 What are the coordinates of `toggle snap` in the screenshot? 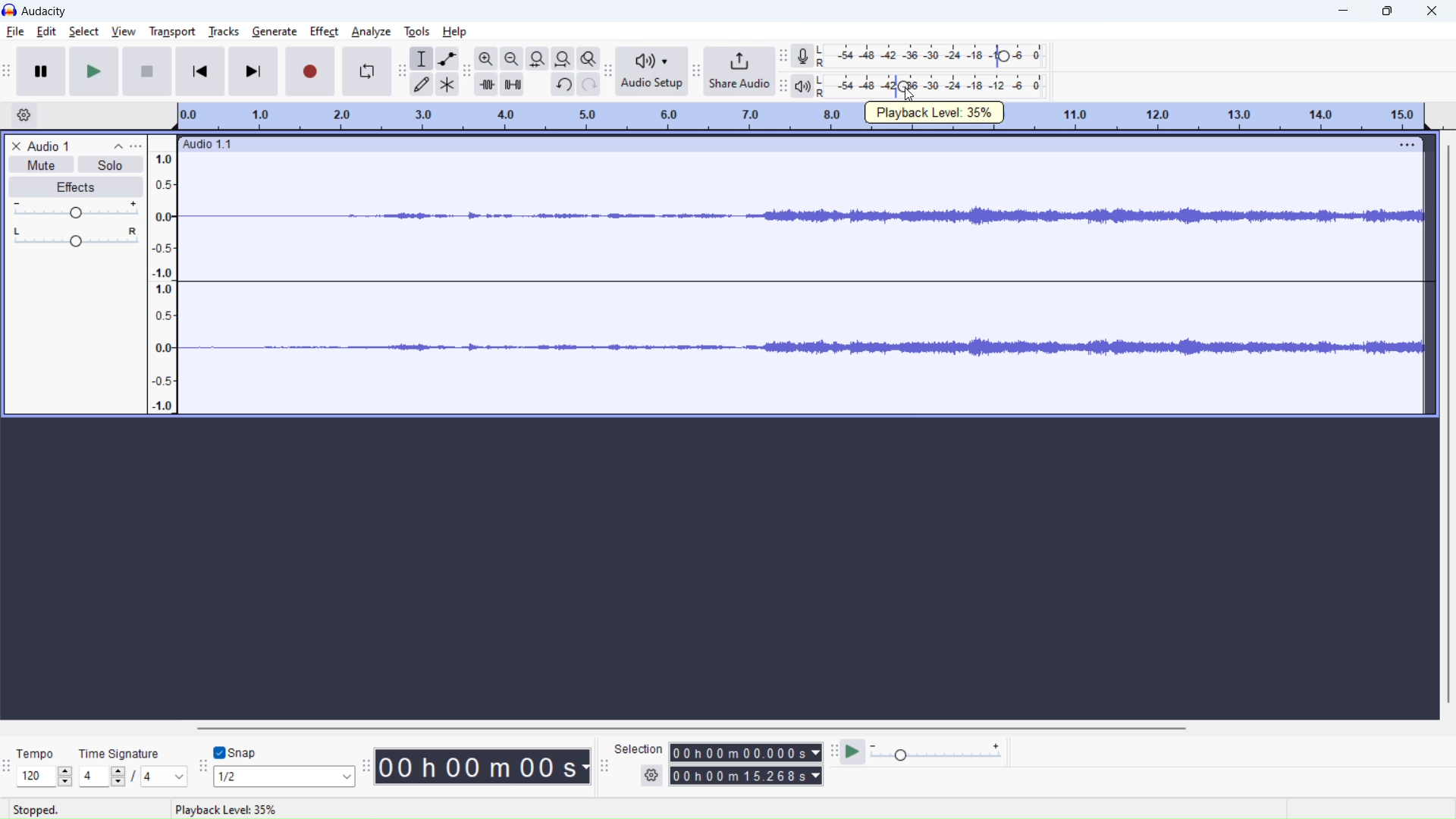 It's located at (236, 753).